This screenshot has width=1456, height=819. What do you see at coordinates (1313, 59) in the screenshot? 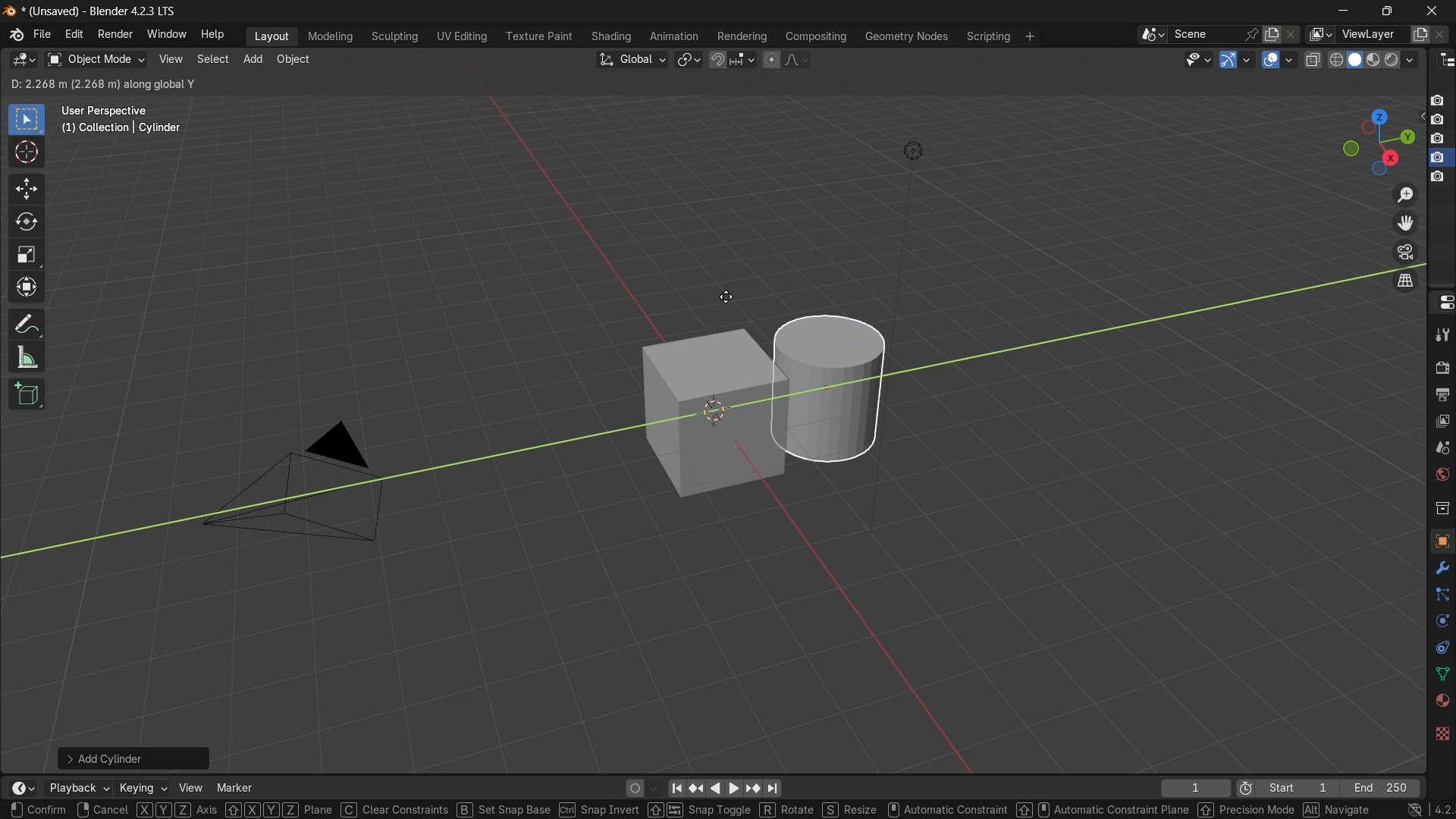
I see `toggle x-ray` at bounding box center [1313, 59].